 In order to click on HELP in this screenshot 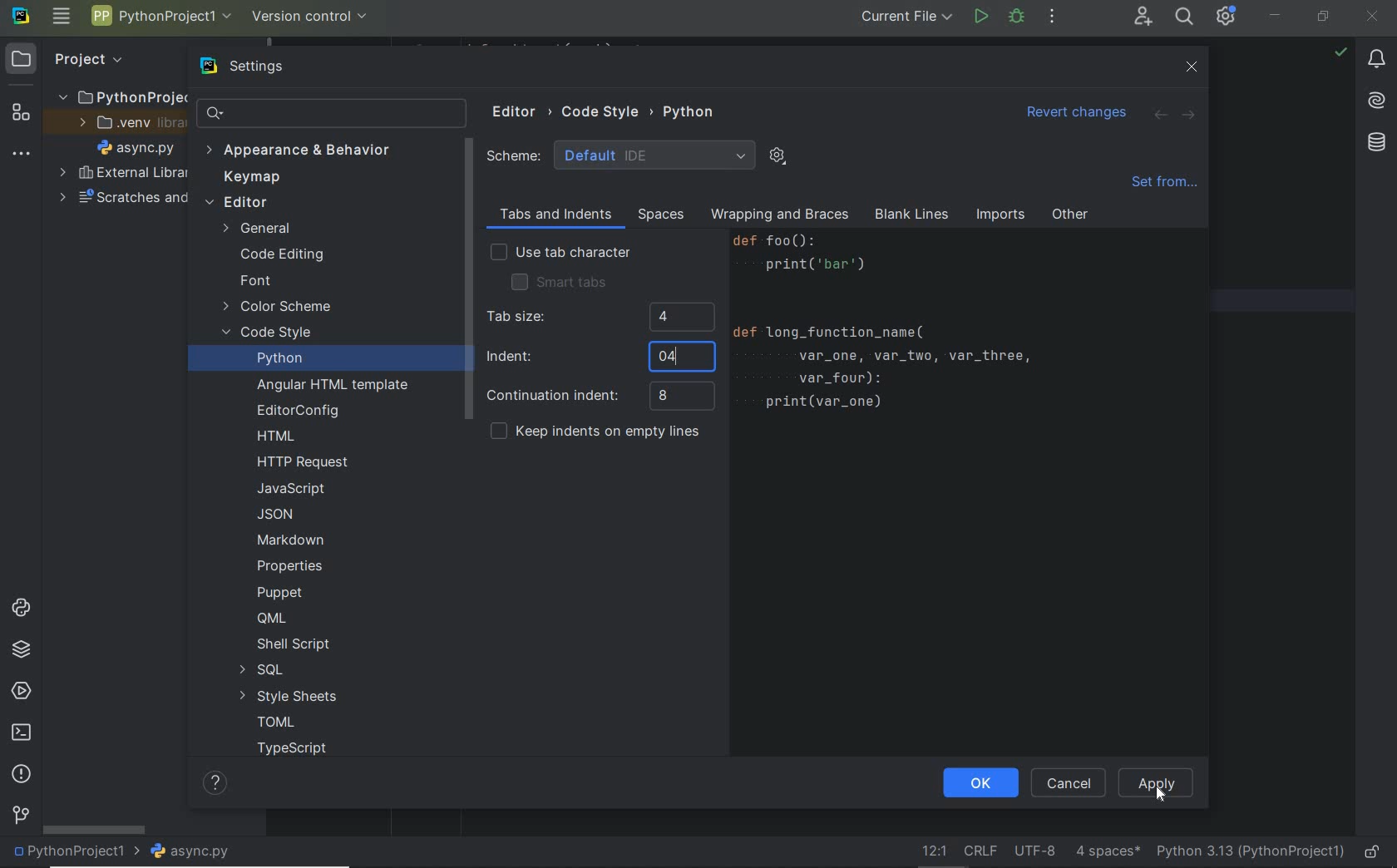, I will do `click(217, 782)`.